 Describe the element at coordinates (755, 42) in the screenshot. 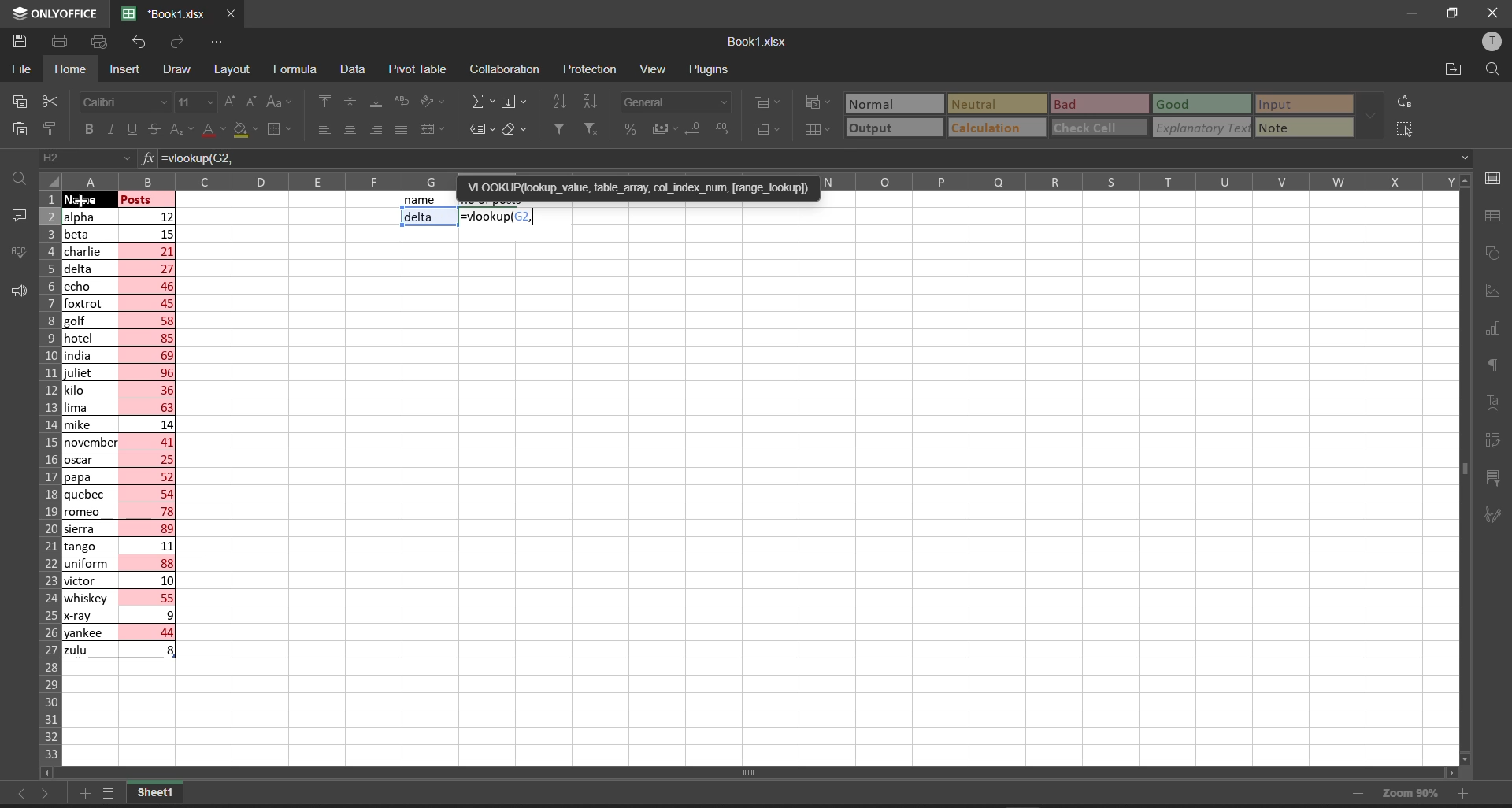

I see `book name` at that location.